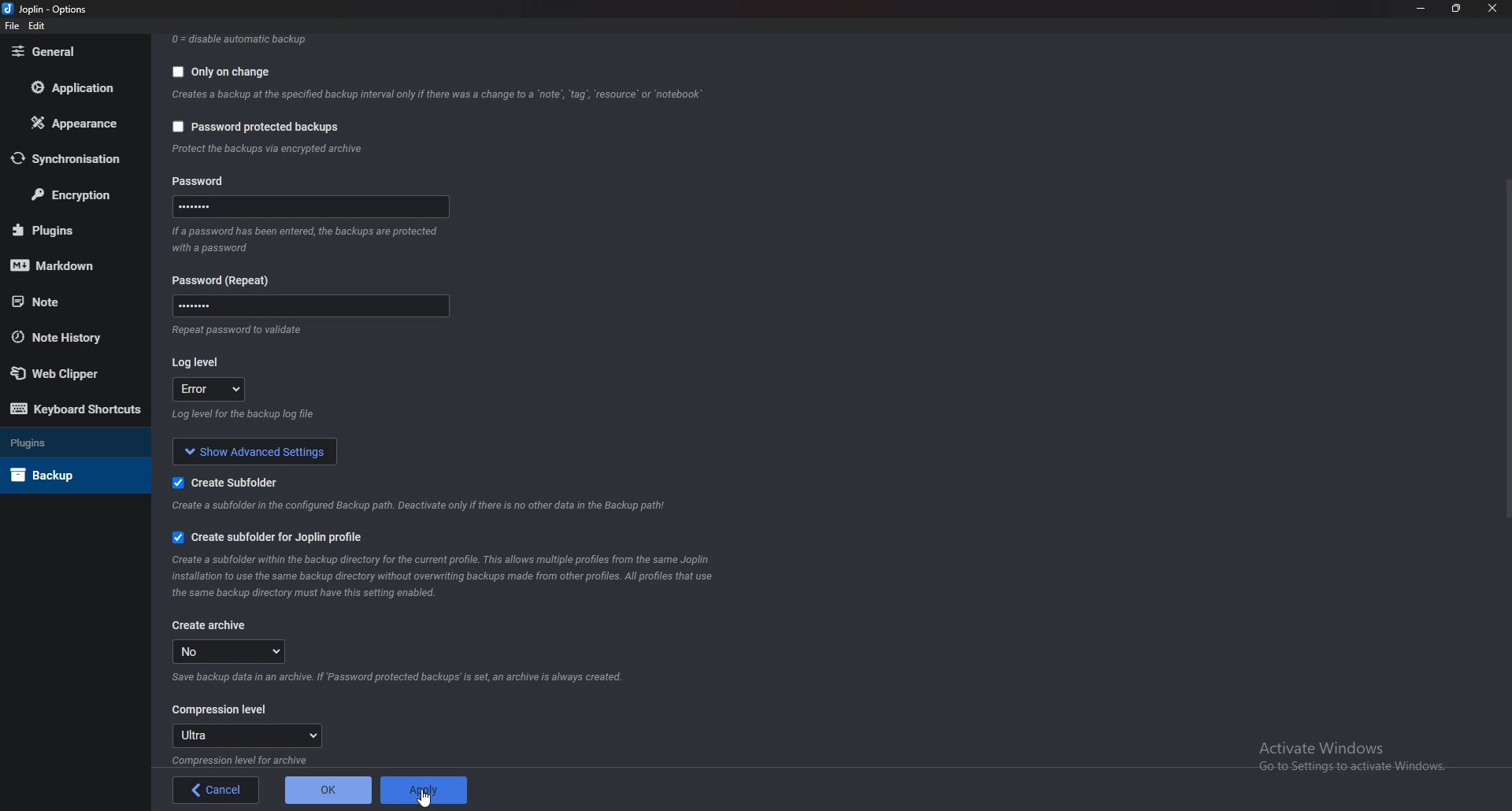 This screenshot has width=1512, height=811. I want to click on Create archive, so click(214, 625).